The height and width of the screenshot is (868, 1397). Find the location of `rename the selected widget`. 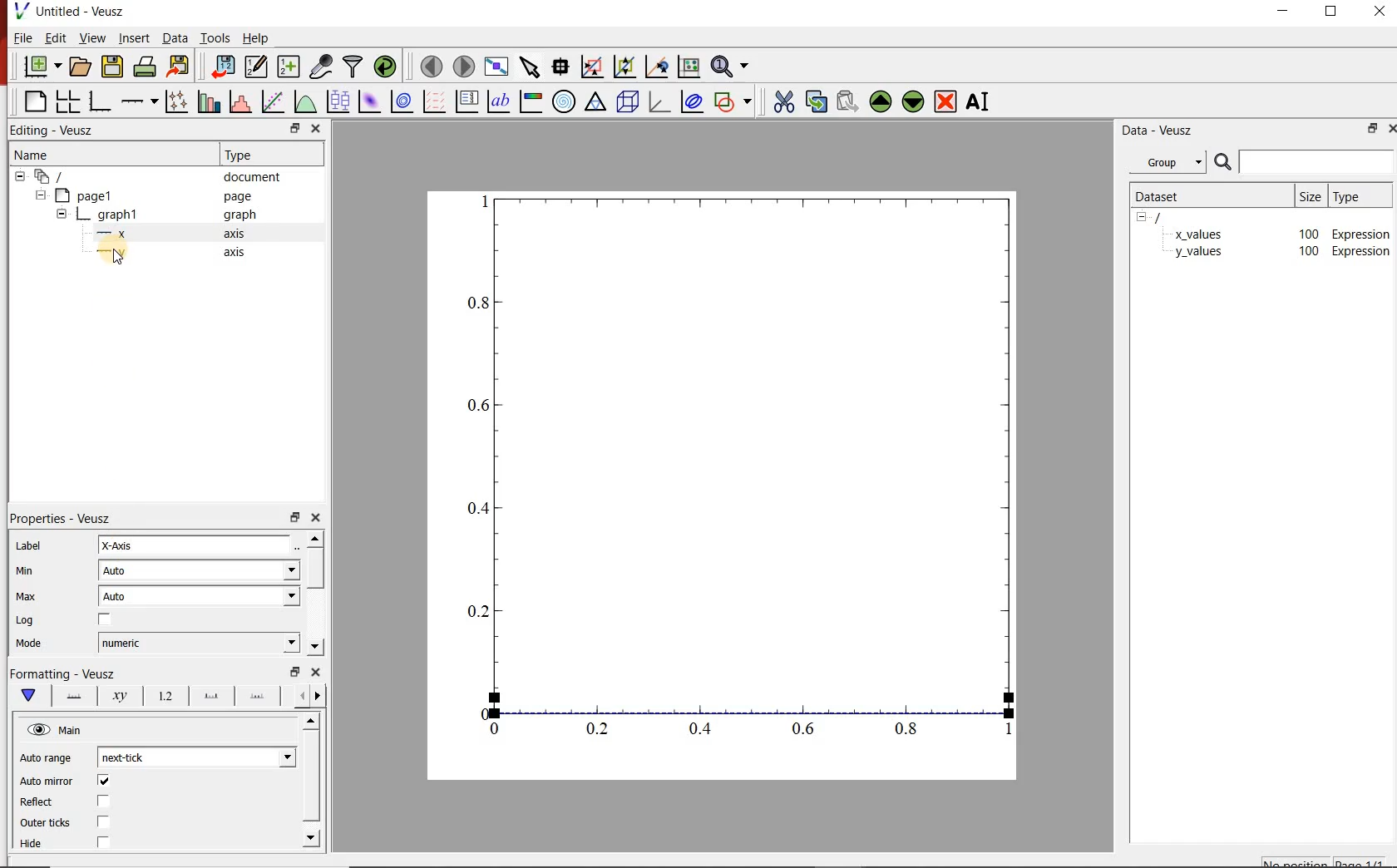

rename the selected widget is located at coordinates (980, 104).